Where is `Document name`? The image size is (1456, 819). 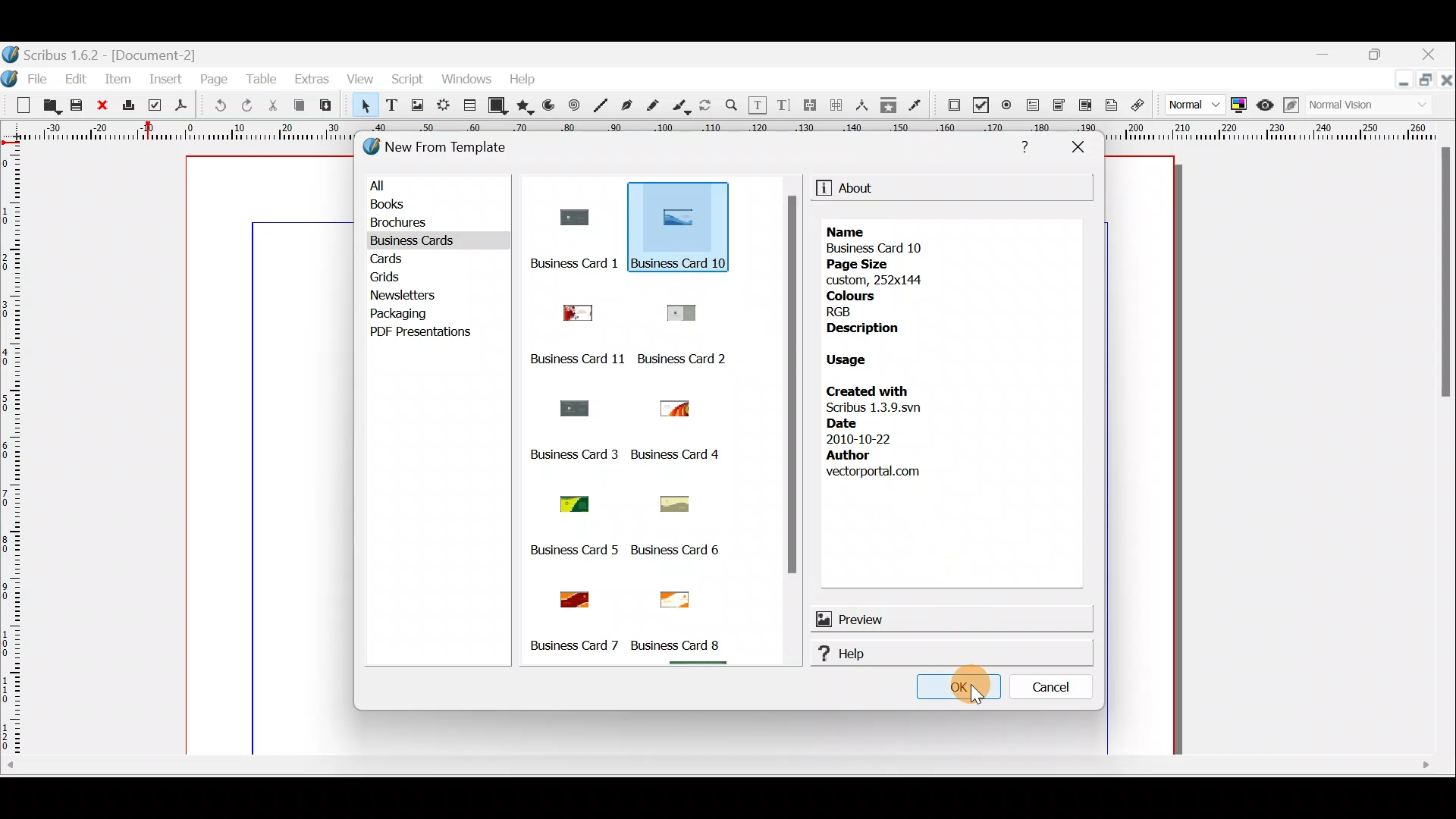 Document name is located at coordinates (108, 52).